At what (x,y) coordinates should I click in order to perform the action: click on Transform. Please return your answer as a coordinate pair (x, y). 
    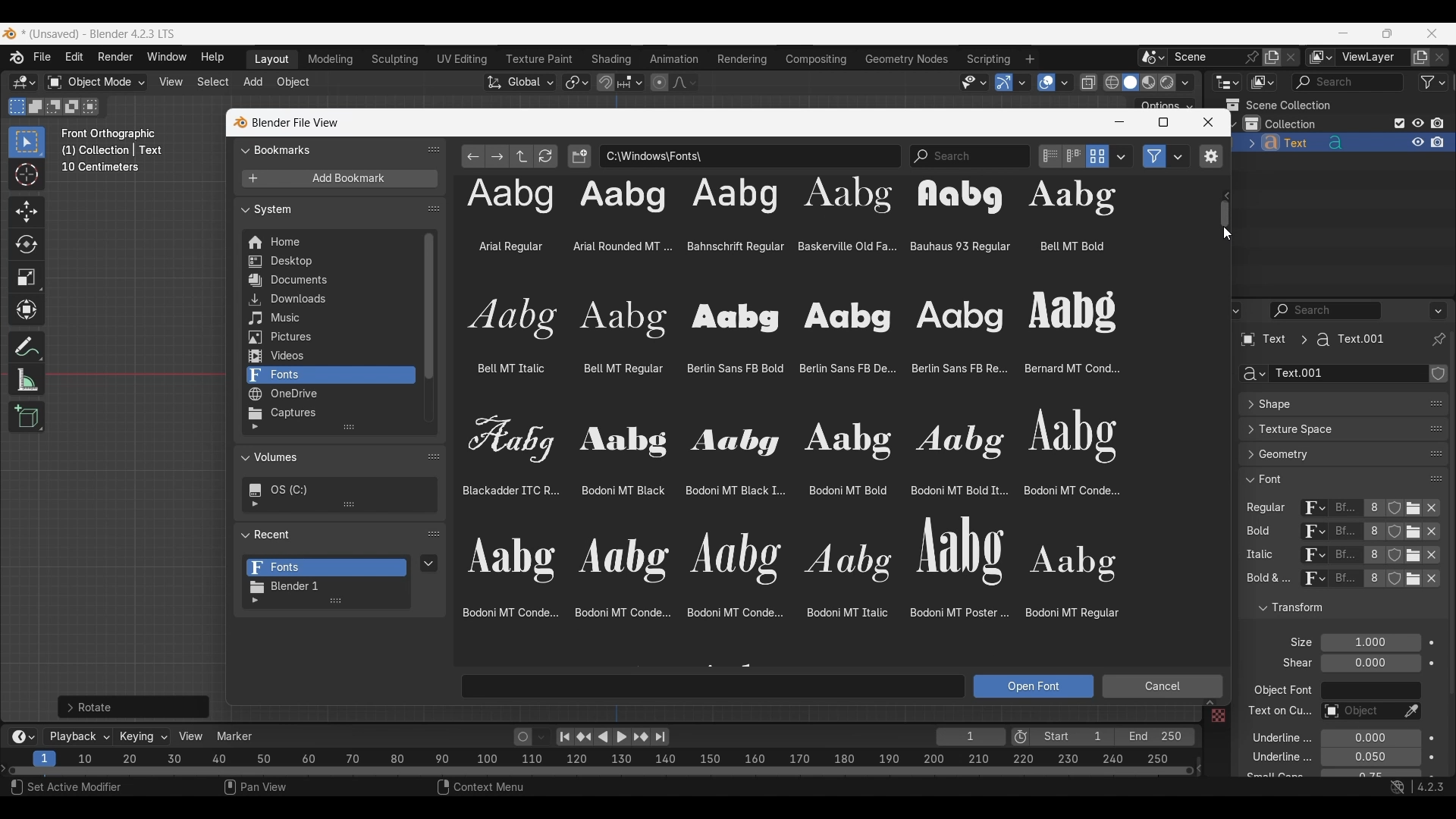
    Looking at the image, I should click on (26, 311).